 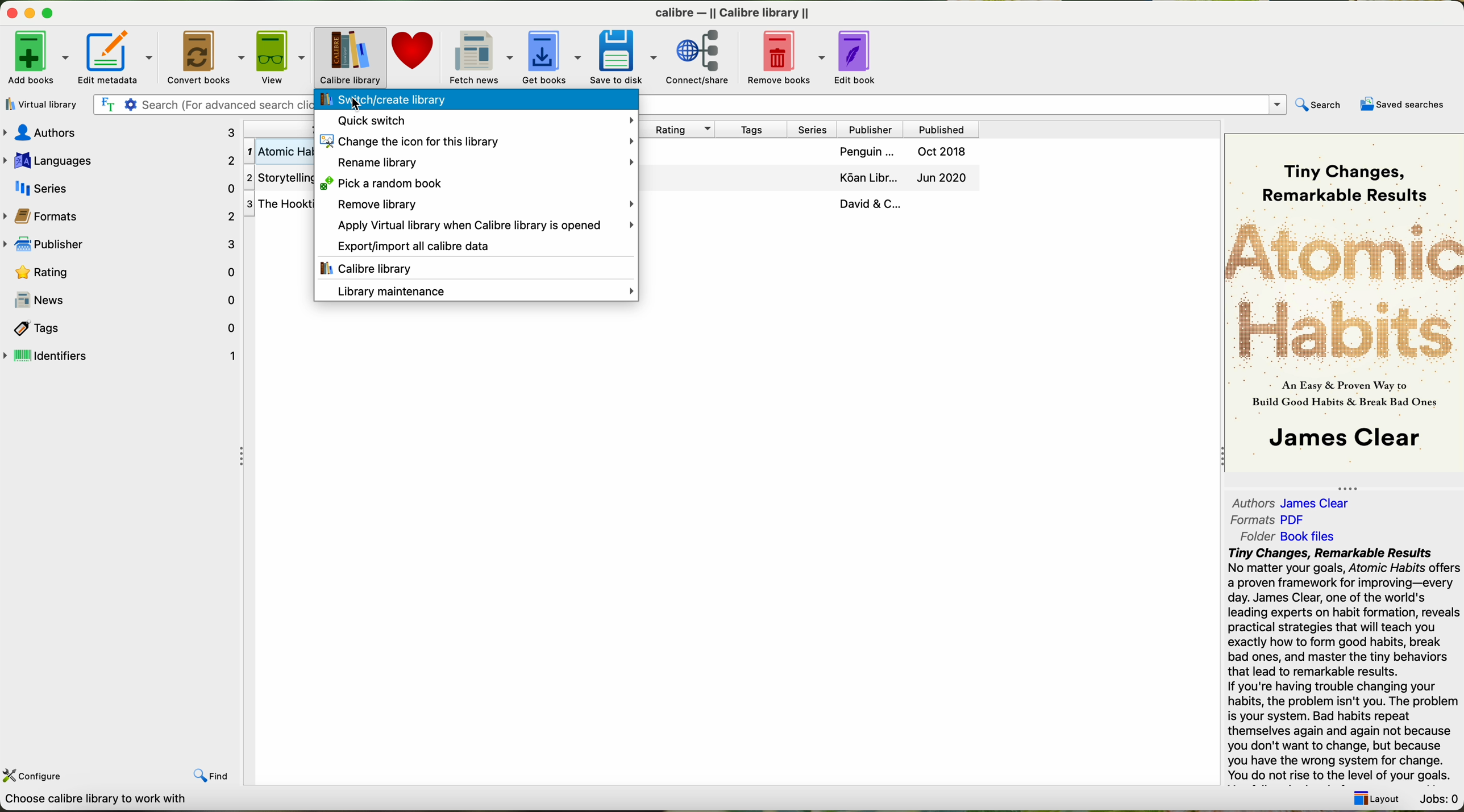 I want to click on authors: James Clear, so click(x=1288, y=500).